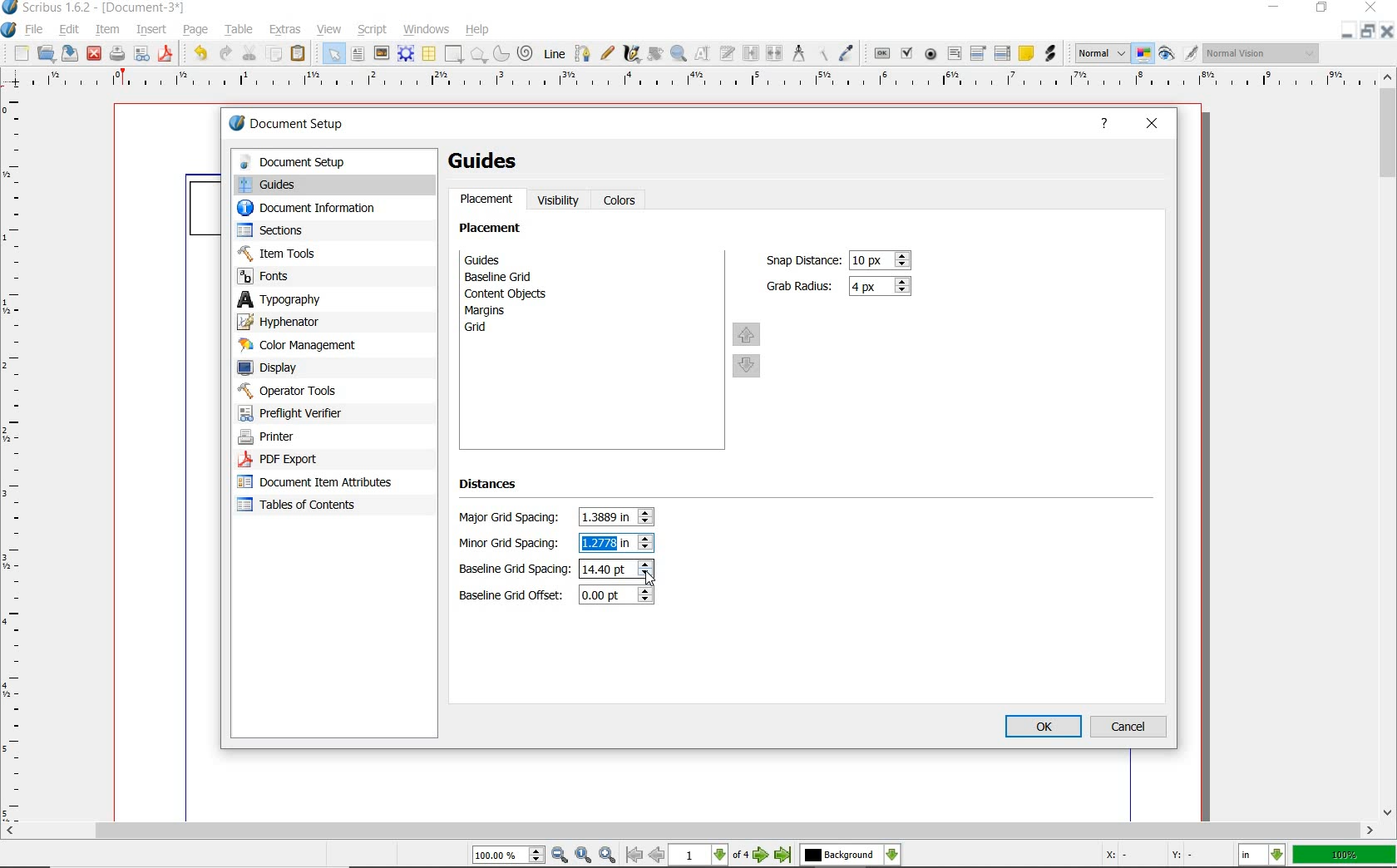 The image size is (1397, 868). Describe the element at coordinates (607, 856) in the screenshot. I see `zoom in` at that location.